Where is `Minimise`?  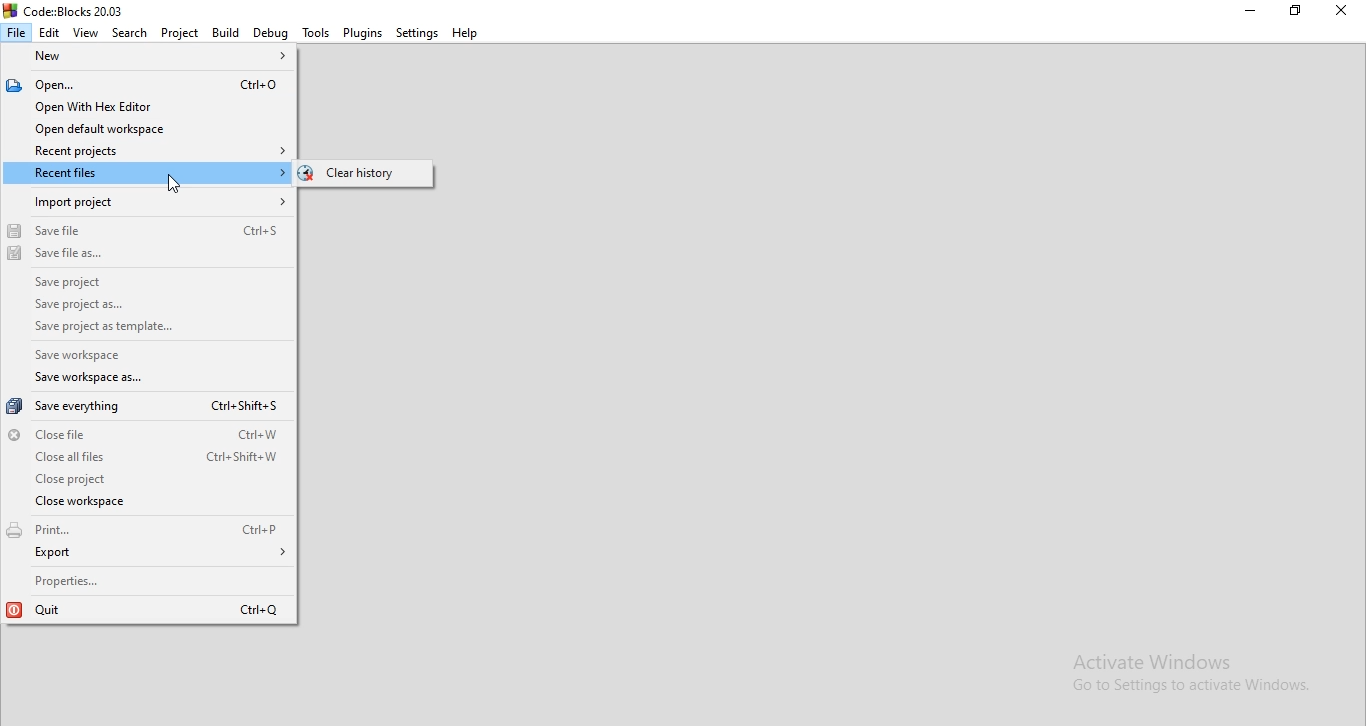 Minimise is located at coordinates (1343, 11).